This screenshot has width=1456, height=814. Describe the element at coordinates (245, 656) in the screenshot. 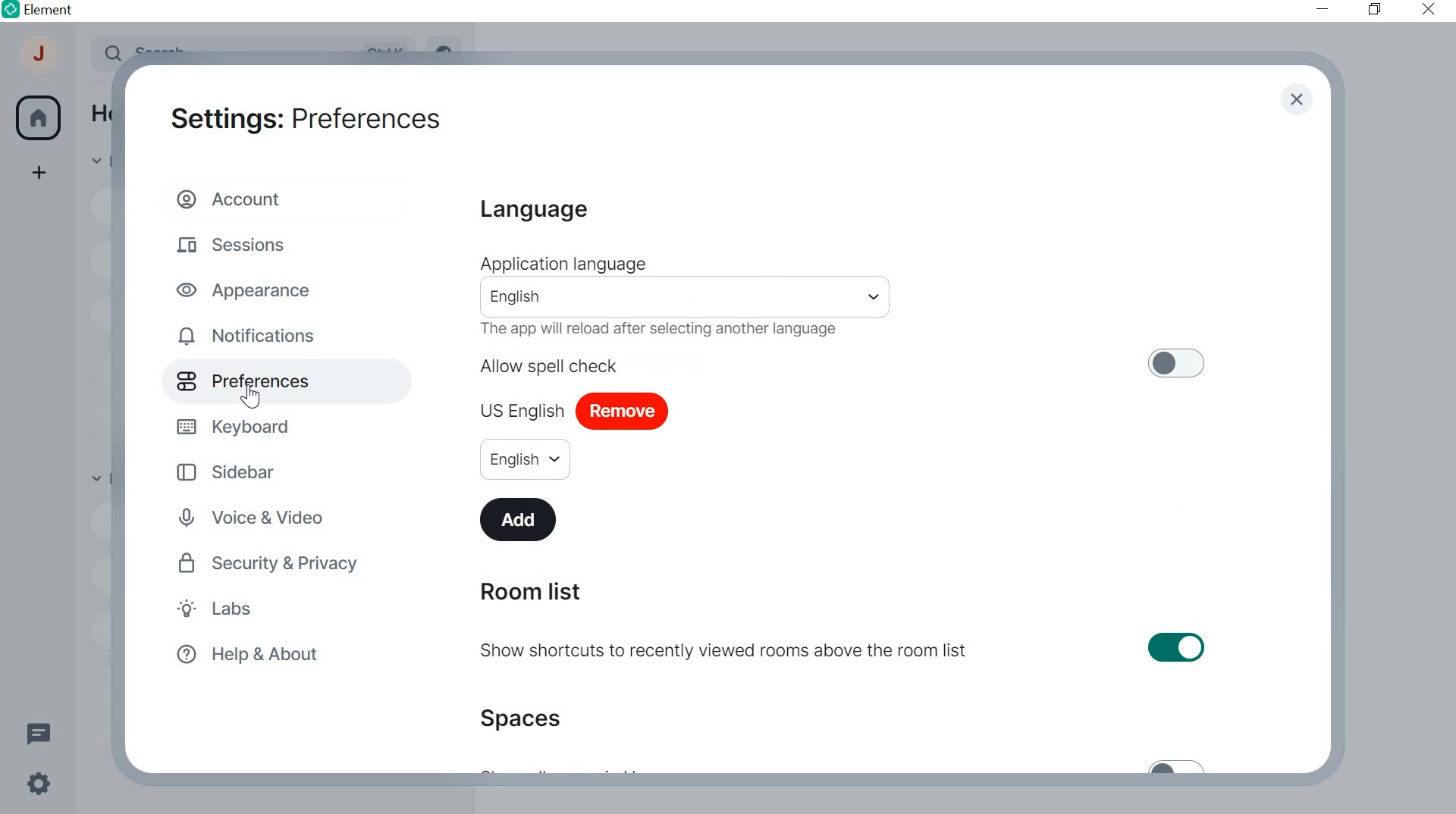

I see `HELP & ABOUT` at that location.